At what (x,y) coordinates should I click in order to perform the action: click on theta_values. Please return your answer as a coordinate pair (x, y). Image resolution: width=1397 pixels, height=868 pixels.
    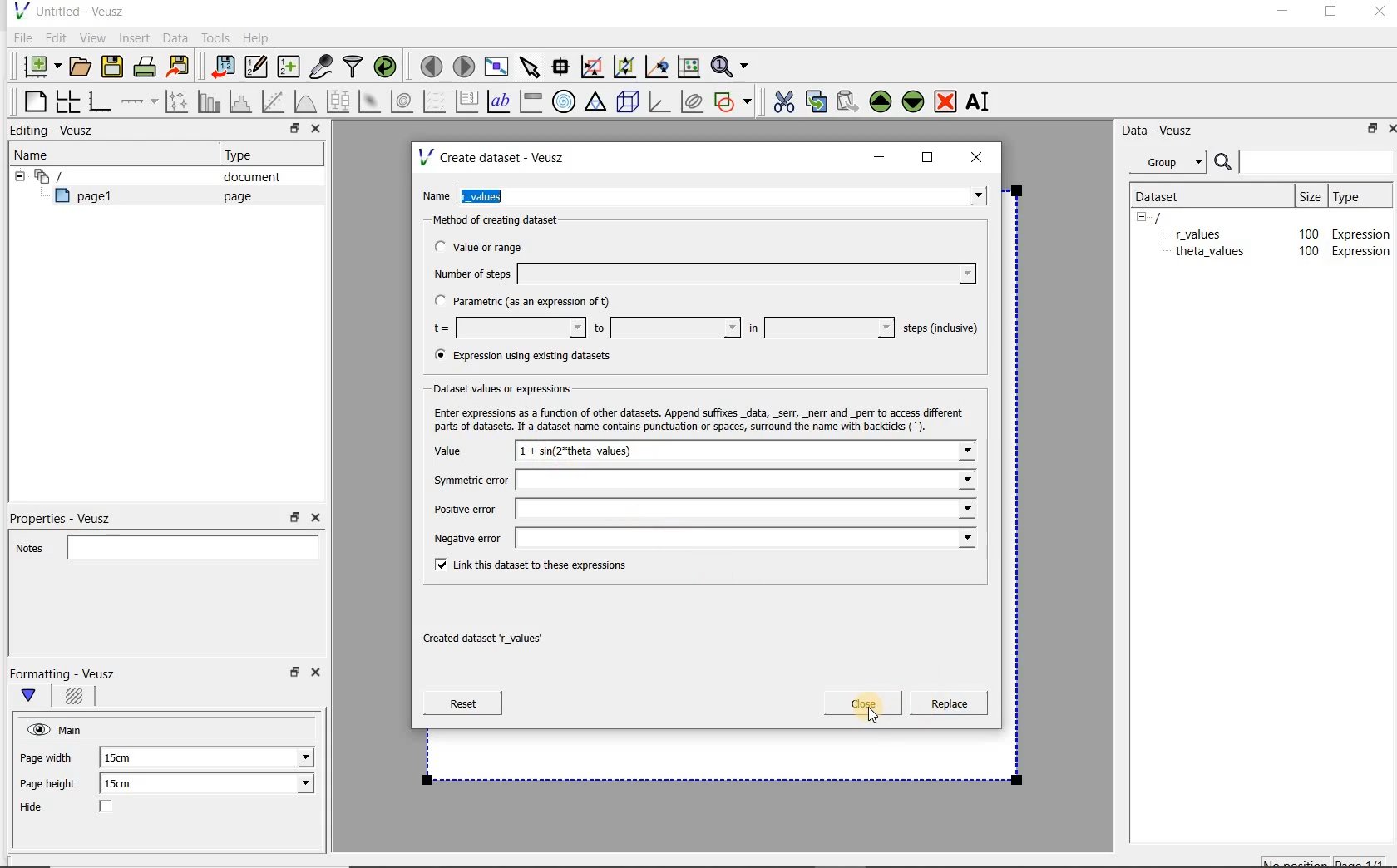
    Looking at the image, I should click on (1212, 234).